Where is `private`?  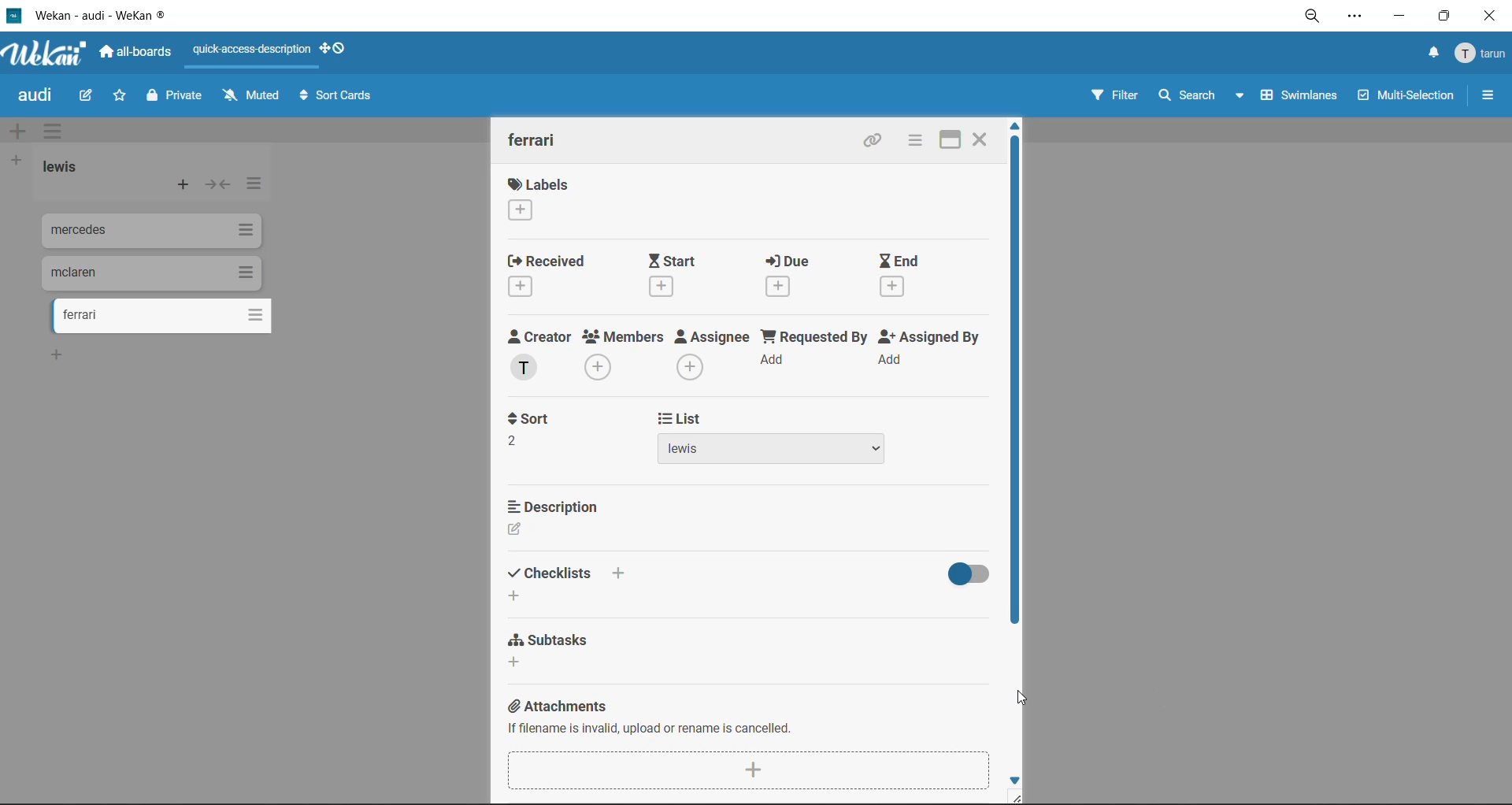
private is located at coordinates (177, 99).